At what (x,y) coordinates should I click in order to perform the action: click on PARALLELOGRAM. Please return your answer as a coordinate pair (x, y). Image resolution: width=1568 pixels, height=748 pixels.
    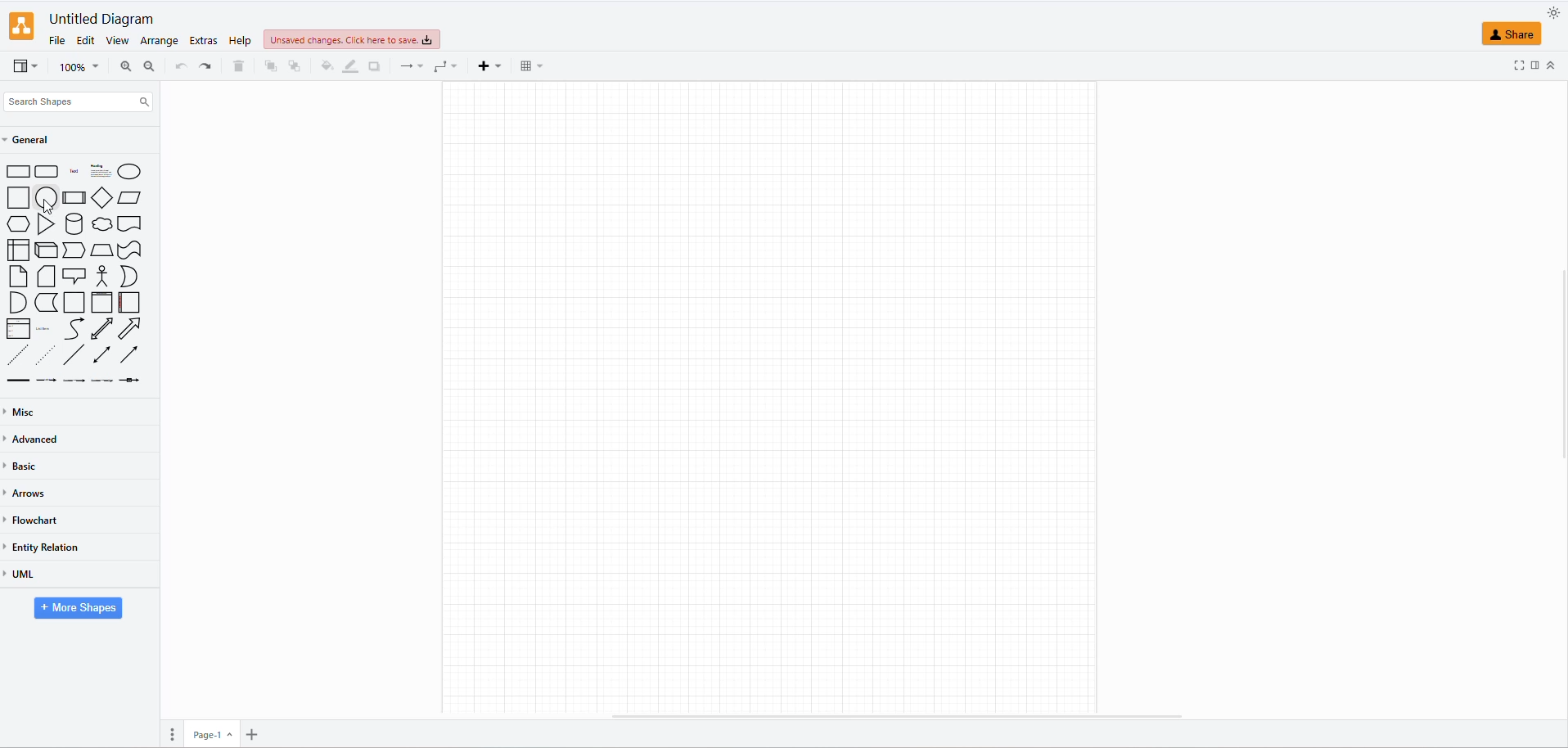
    Looking at the image, I should click on (129, 197).